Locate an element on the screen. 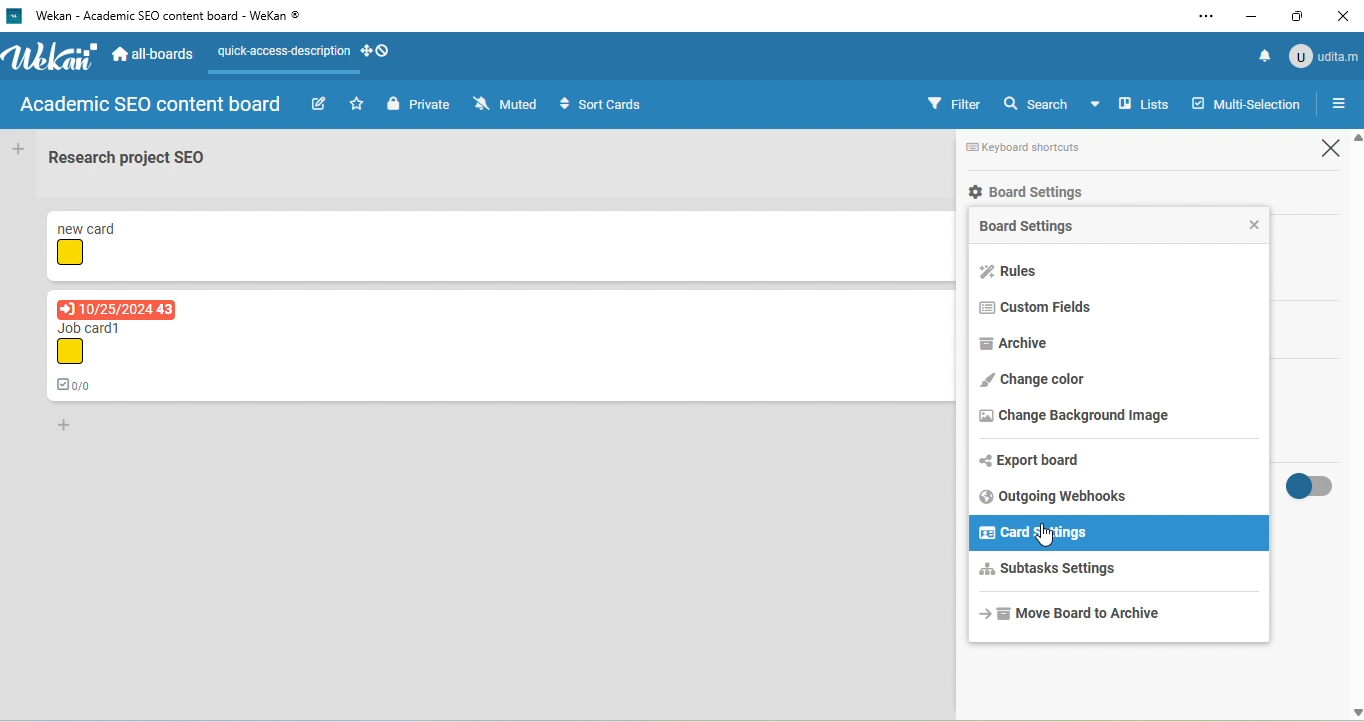 Image resolution: width=1364 pixels, height=722 pixels. custom fields is located at coordinates (1049, 314).